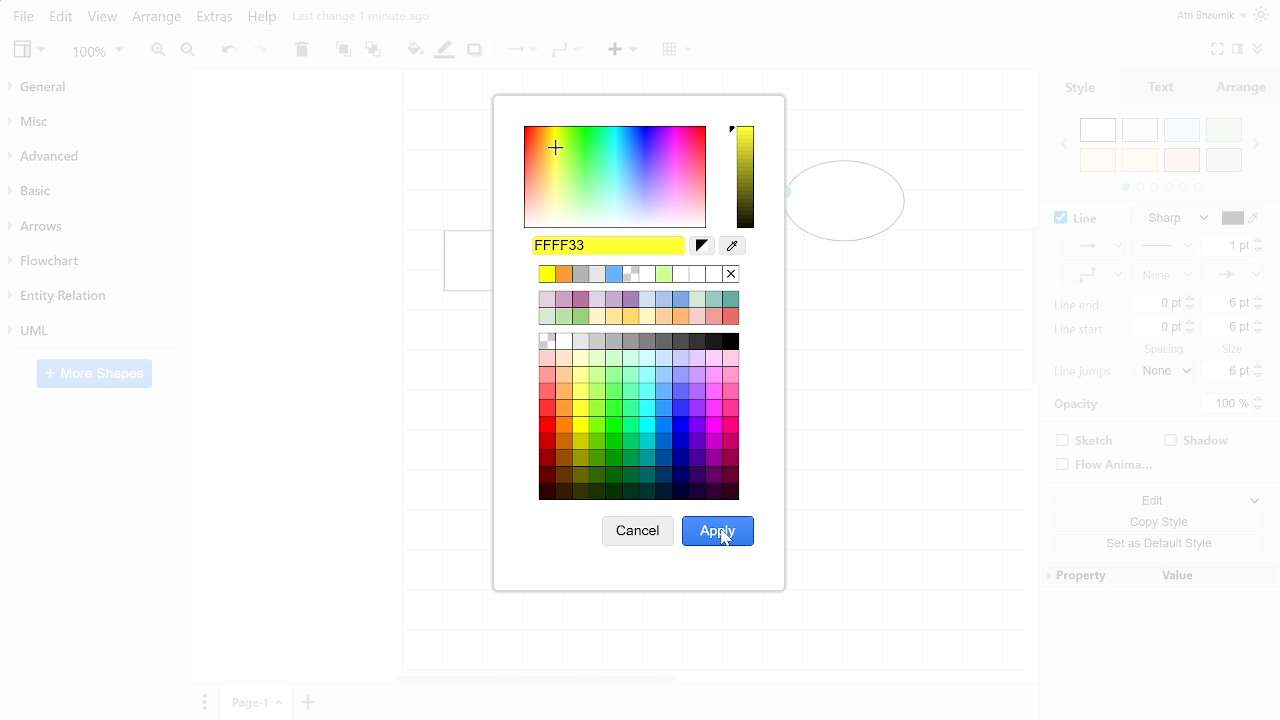  What do you see at coordinates (745, 174) in the screenshot?
I see `Current color spectrum` at bounding box center [745, 174].